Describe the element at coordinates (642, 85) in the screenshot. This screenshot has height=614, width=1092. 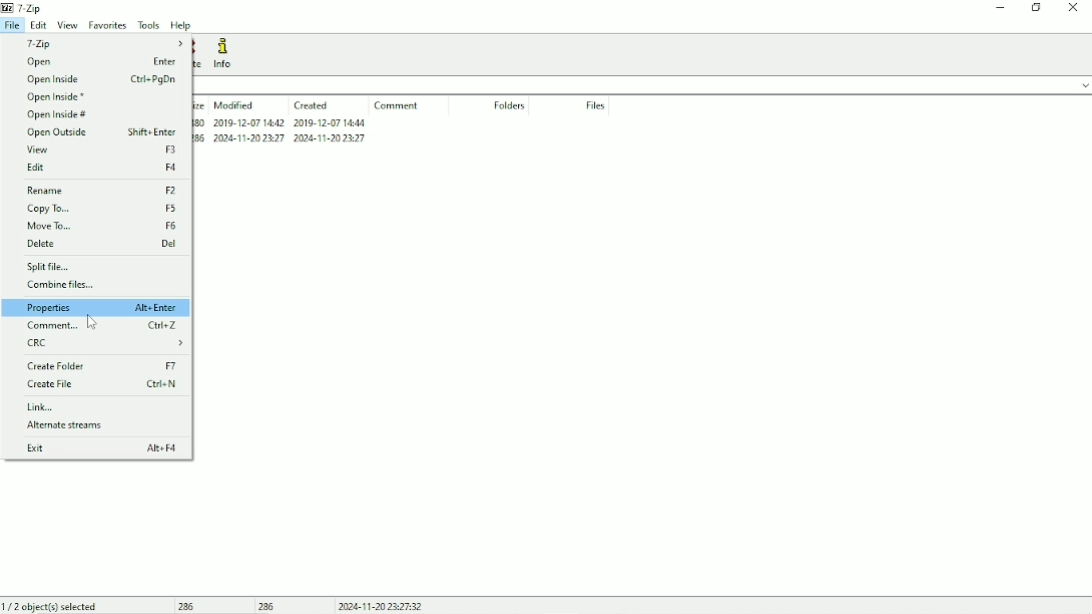
I see `File location` at that location.